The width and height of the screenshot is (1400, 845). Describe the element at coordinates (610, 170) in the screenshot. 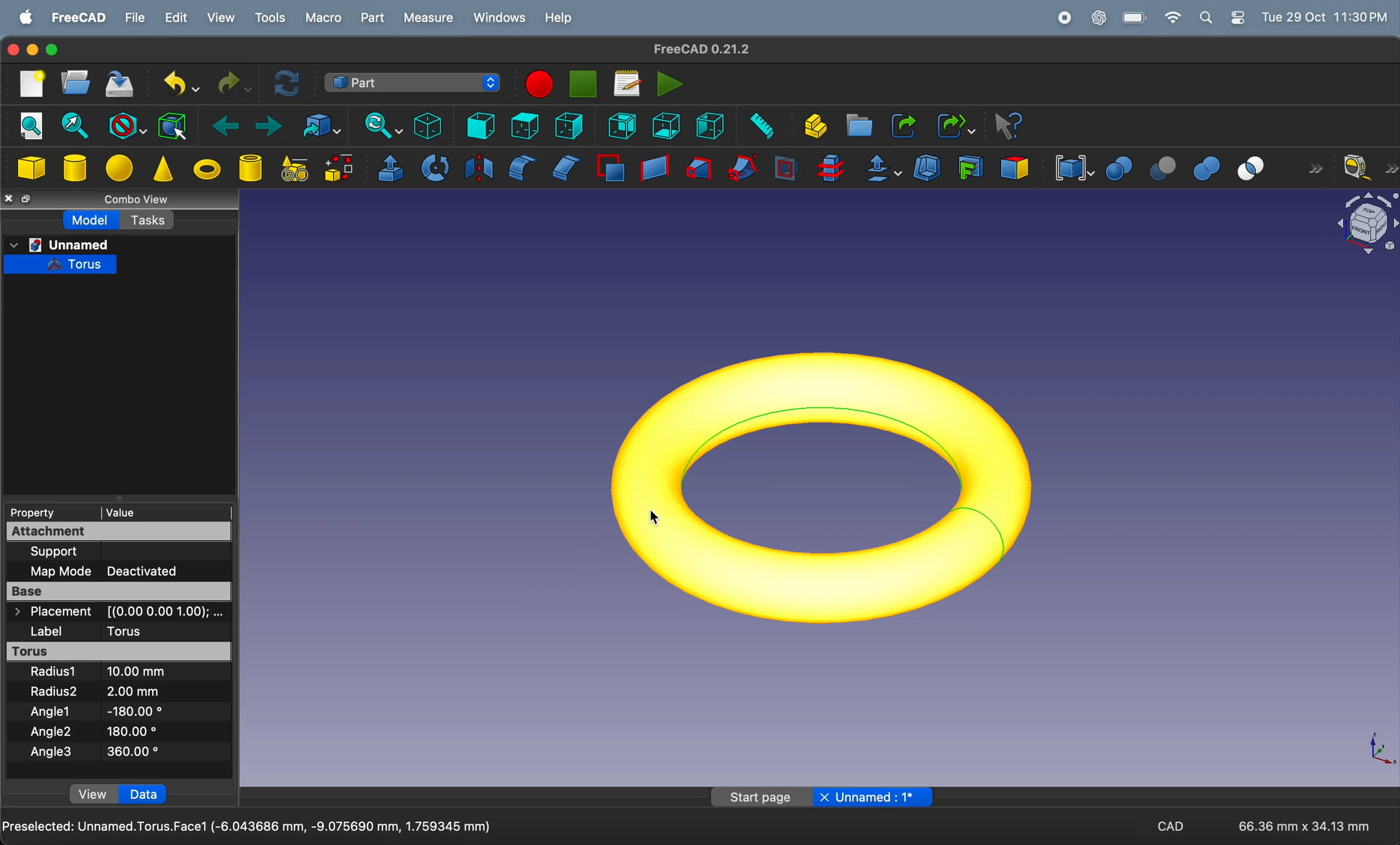

I see `make face from wires` at that location.